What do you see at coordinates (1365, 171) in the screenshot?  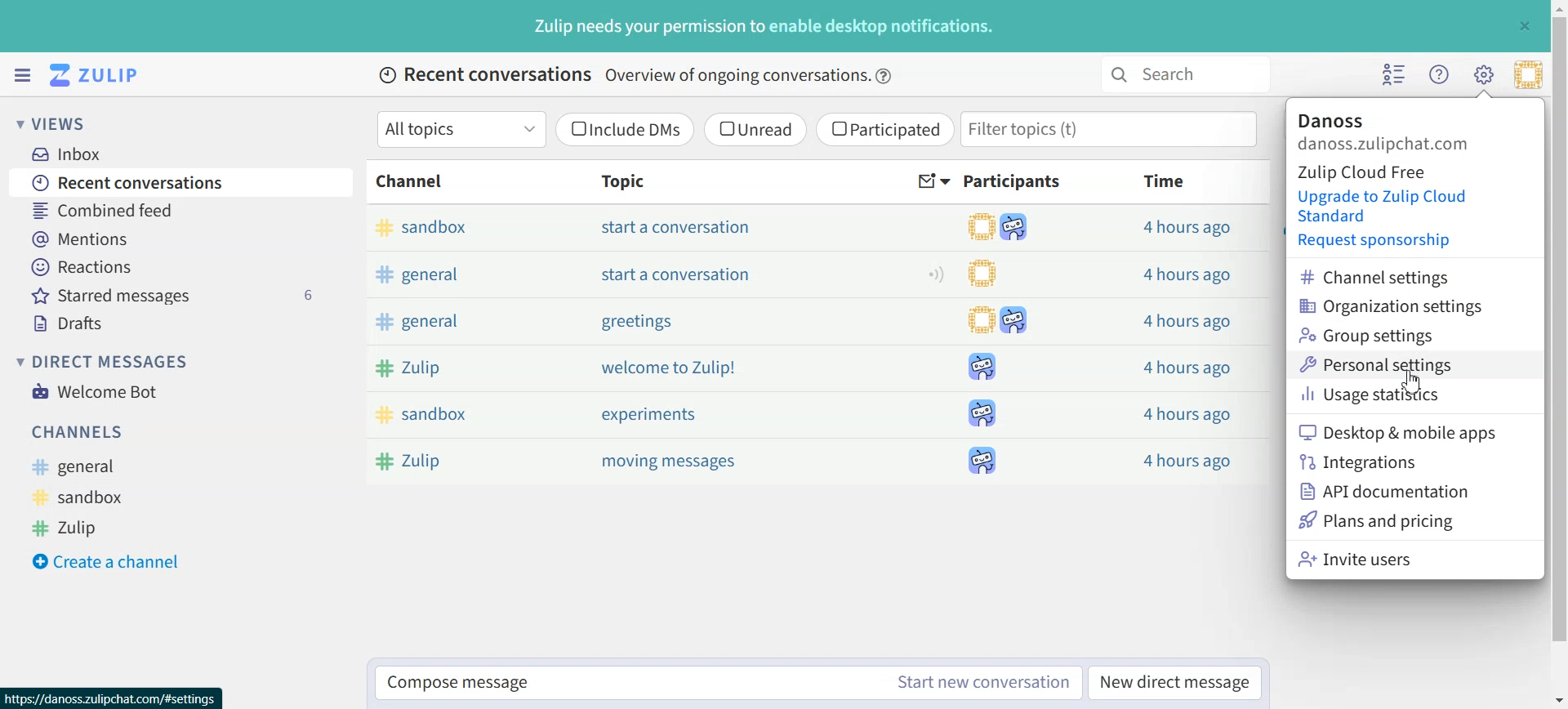 I see `| Zulip Cloud Free` at bounding box center [1365, 171].